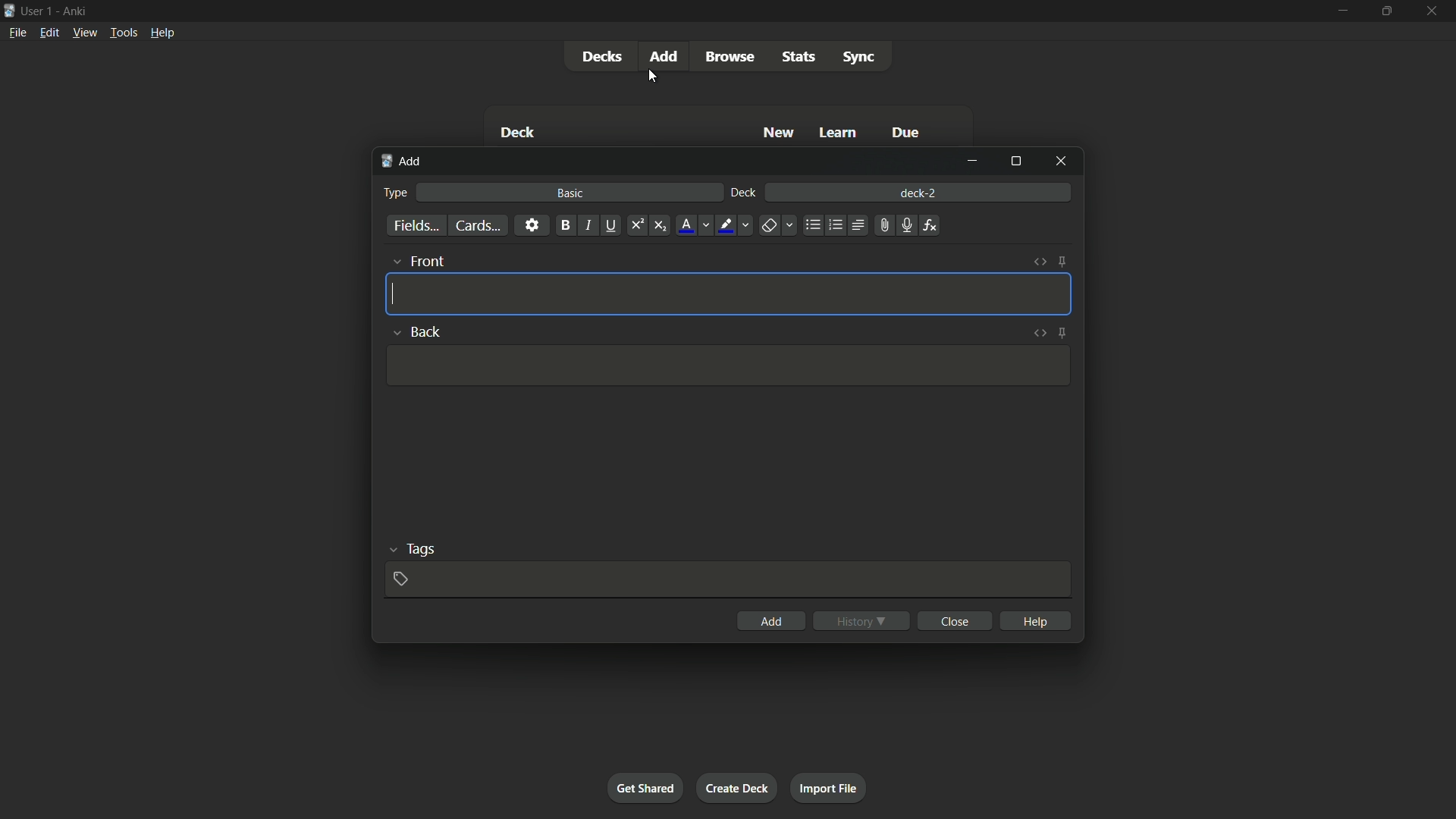 This screenshot has width=1456, height=819. I want to click on stats, so click(799, 56).